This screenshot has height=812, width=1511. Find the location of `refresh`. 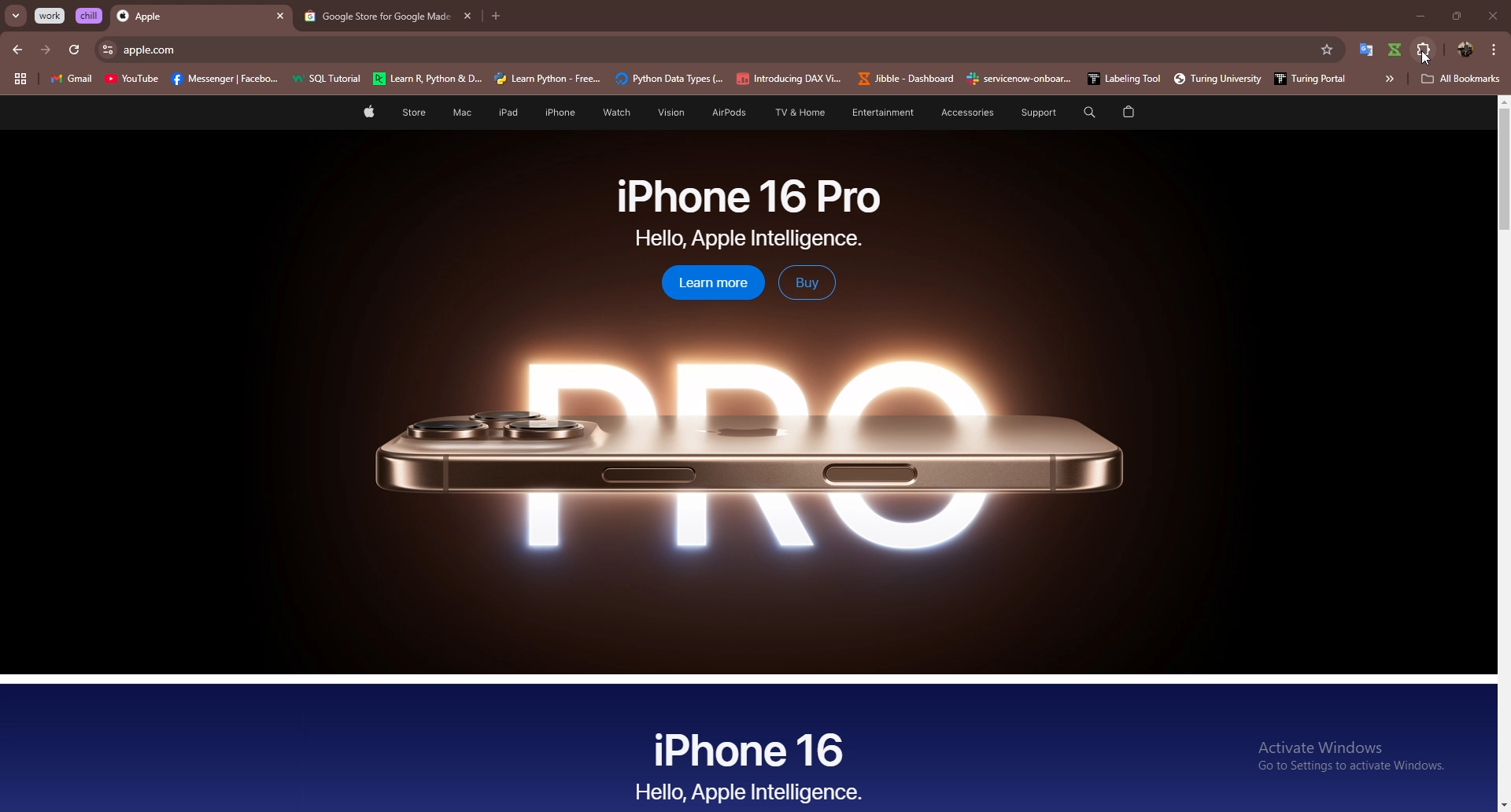

refresh is located at coordinates (74, 50).